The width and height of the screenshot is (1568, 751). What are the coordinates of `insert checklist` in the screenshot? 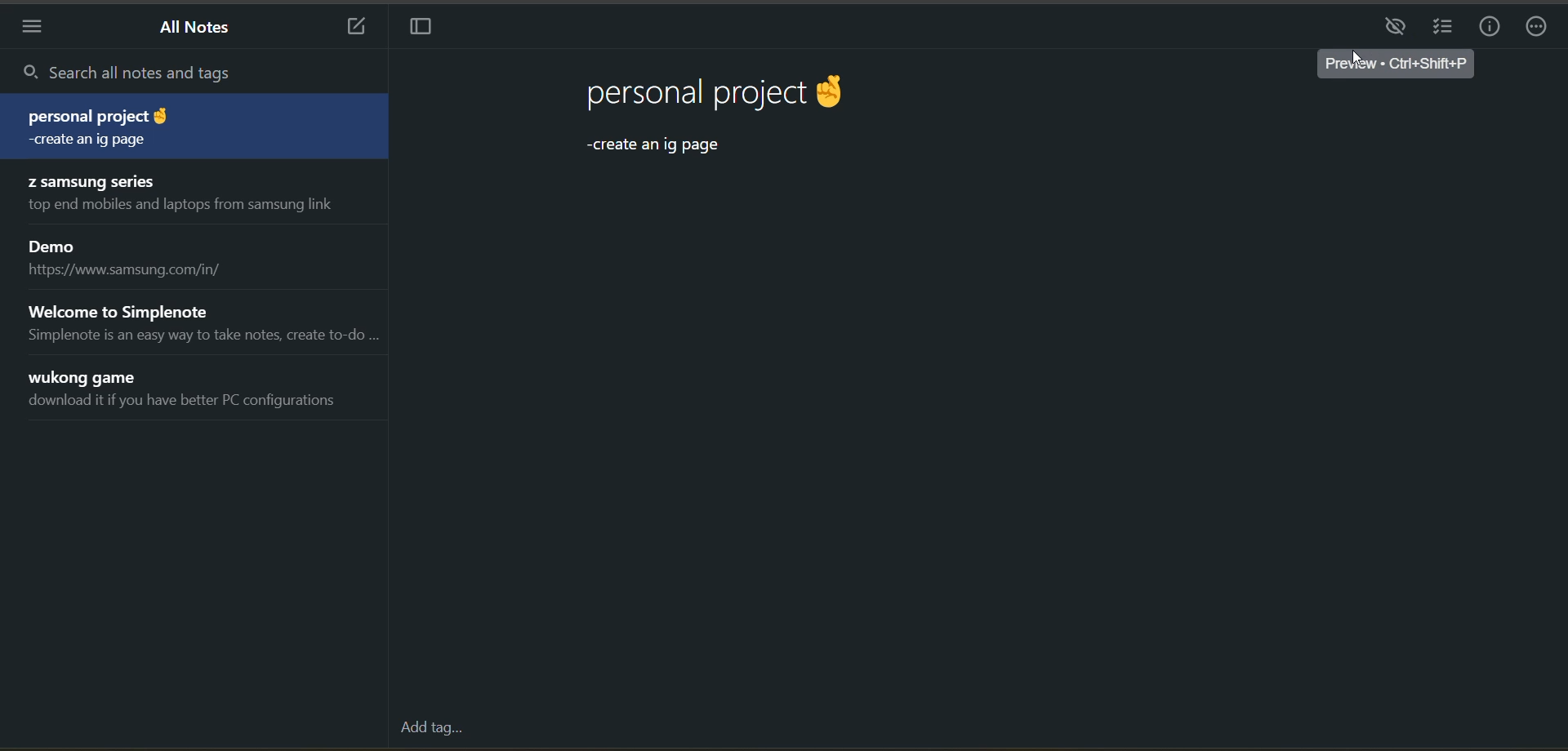 It's located at (1444, 29).